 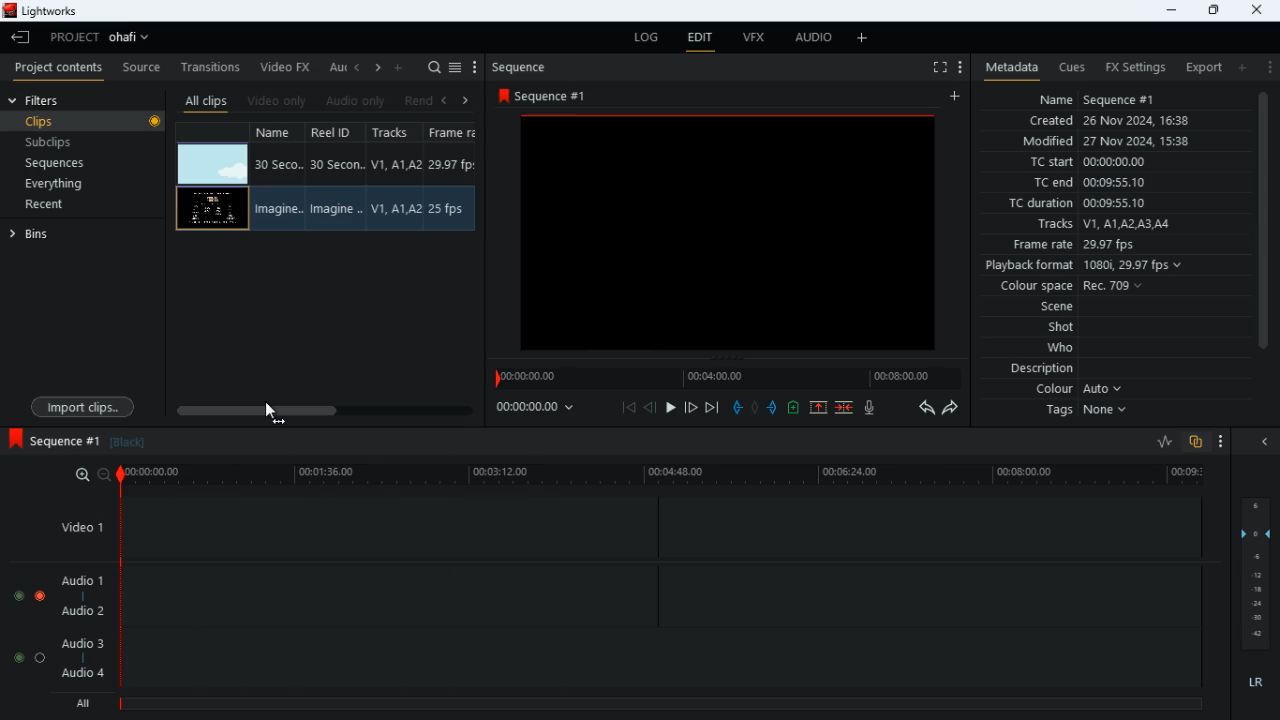 What do you see at coordinates (846, 408) in the screenshot?
I see `merge` at bounding box center [846, 408].